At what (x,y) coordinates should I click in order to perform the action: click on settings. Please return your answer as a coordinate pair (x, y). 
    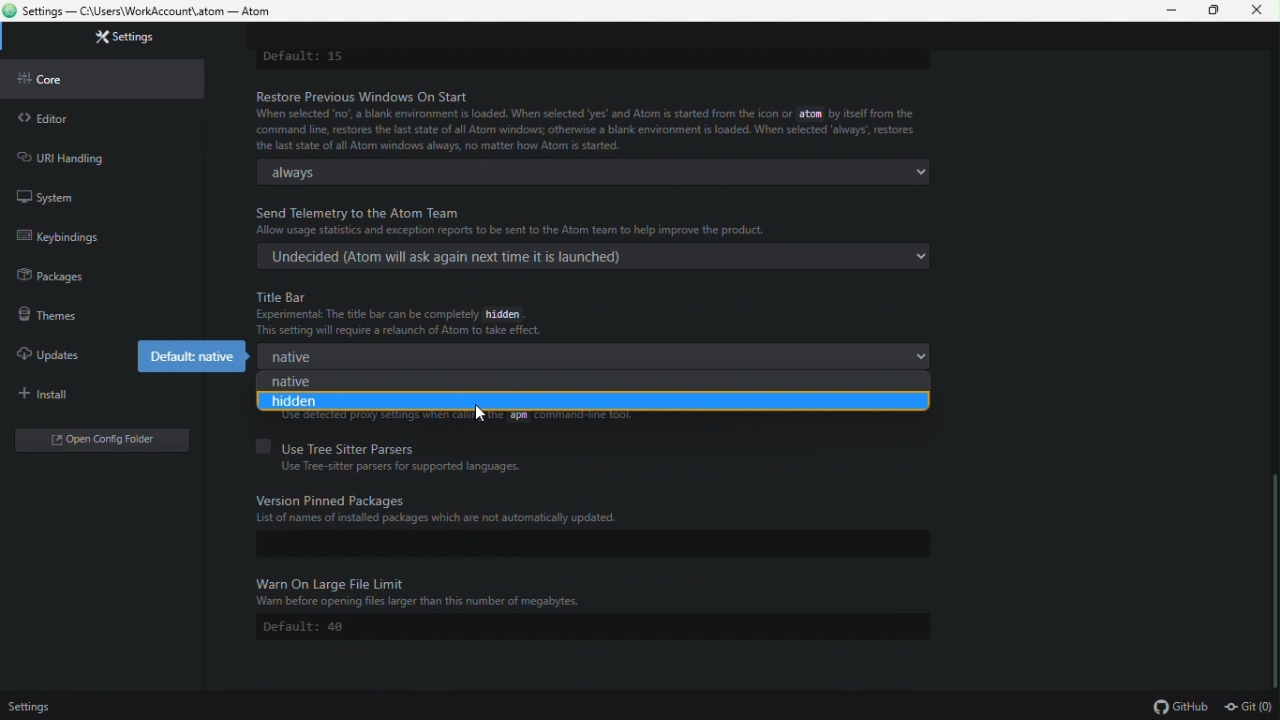
    Looking at the image, I should click on (31, 708).